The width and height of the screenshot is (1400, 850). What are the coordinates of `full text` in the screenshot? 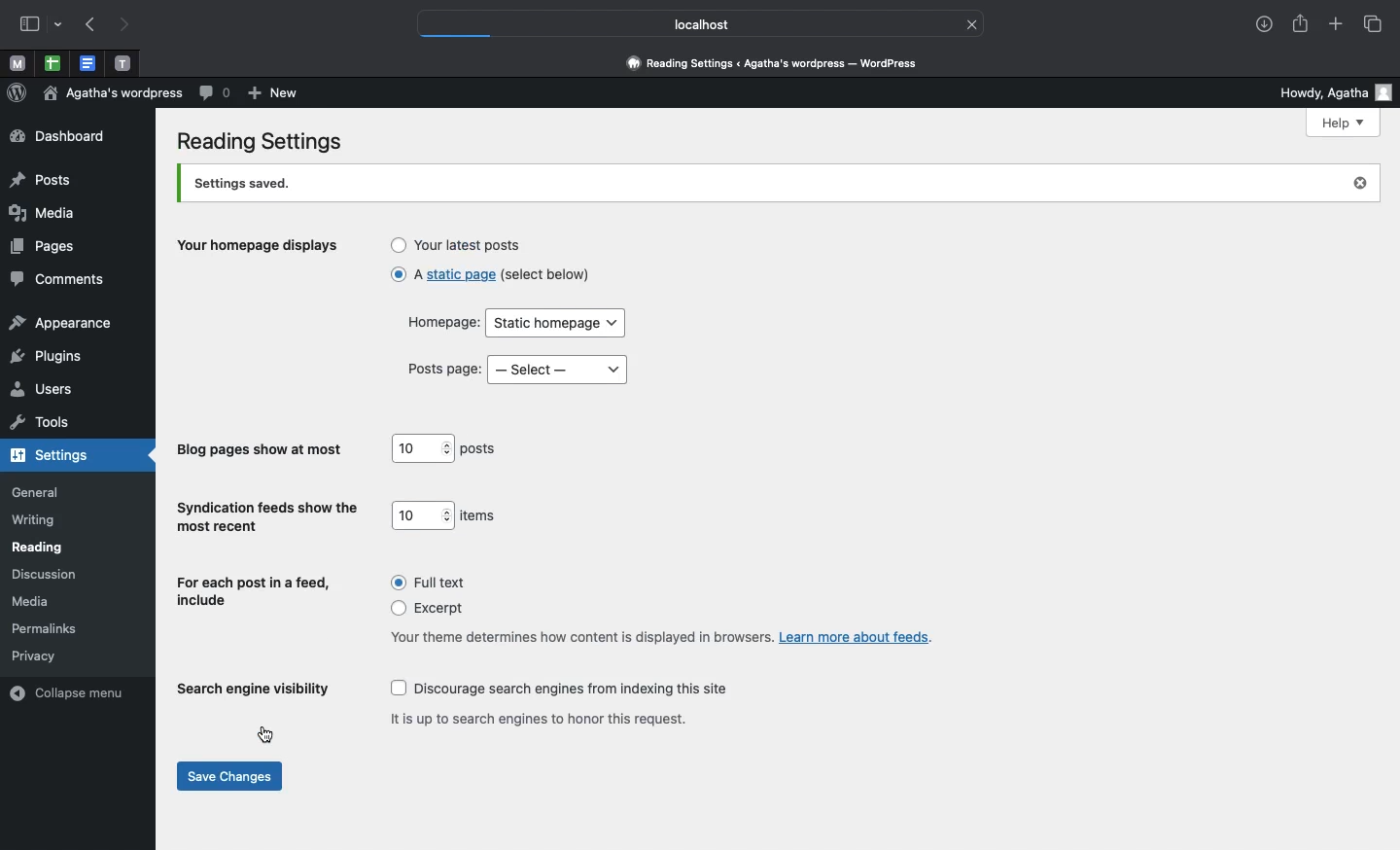 It's located at (423, 583).